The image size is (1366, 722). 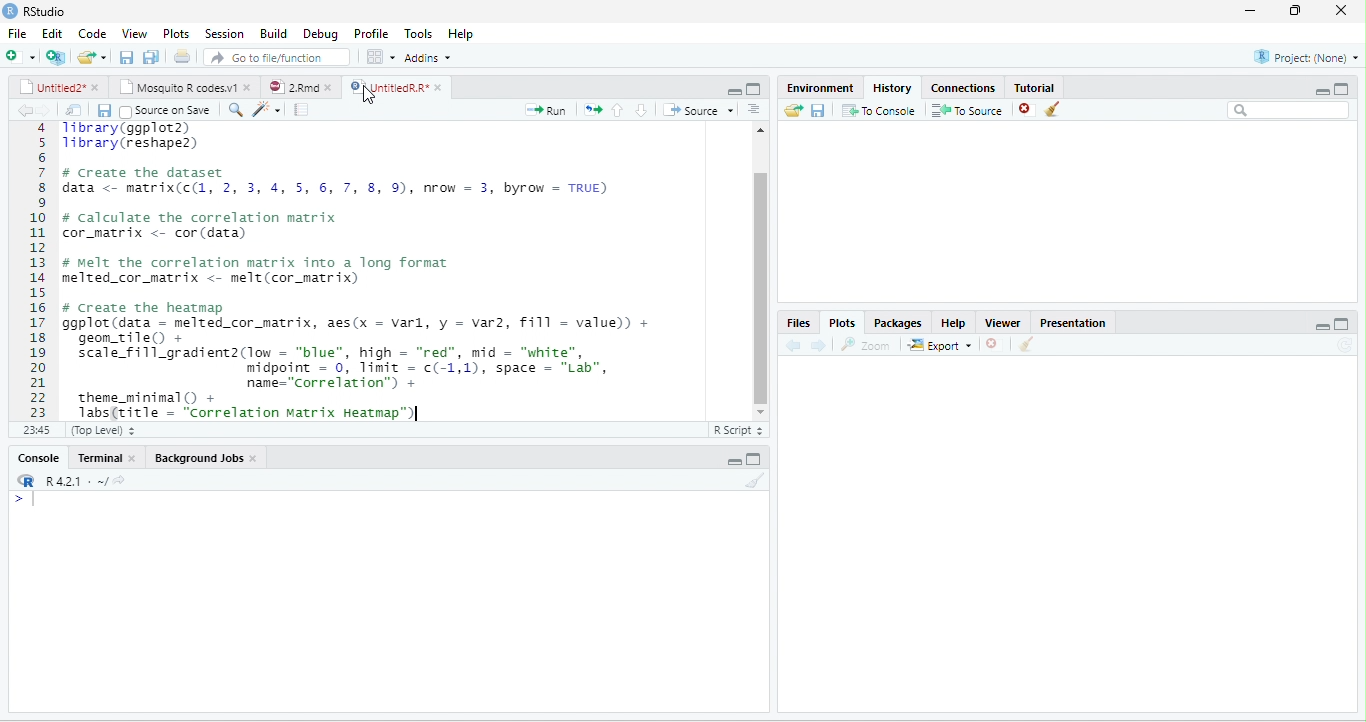 What do you see at coordinates (1289, 111) in the screenshot?
I see `search bar` at bounding box center [1289, 111].